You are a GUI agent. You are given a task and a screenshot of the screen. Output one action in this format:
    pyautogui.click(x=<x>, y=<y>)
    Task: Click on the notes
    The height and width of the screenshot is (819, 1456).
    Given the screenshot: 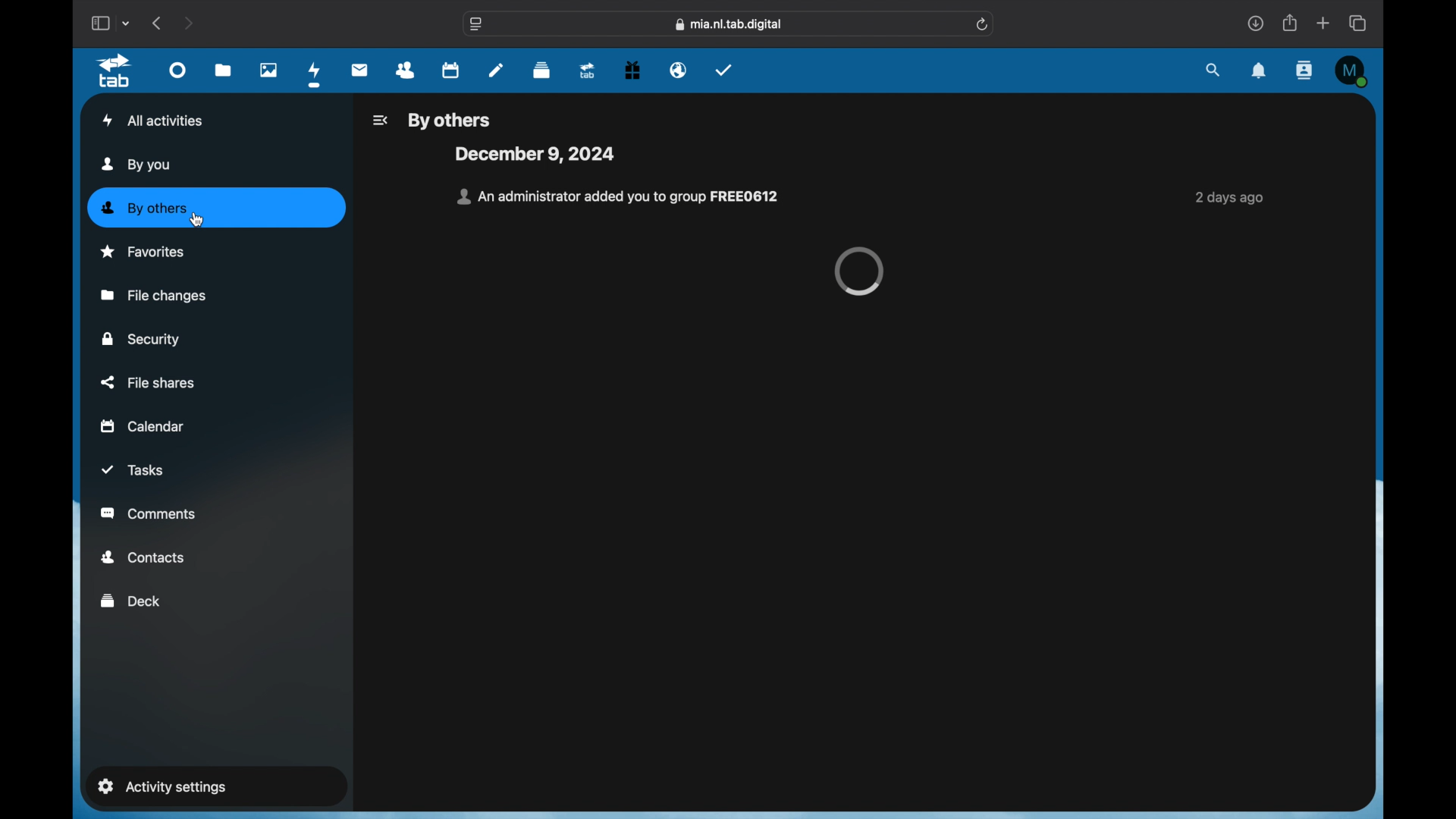 What is the action you would take?
    pyautogui.click(x=495, y=70)
    